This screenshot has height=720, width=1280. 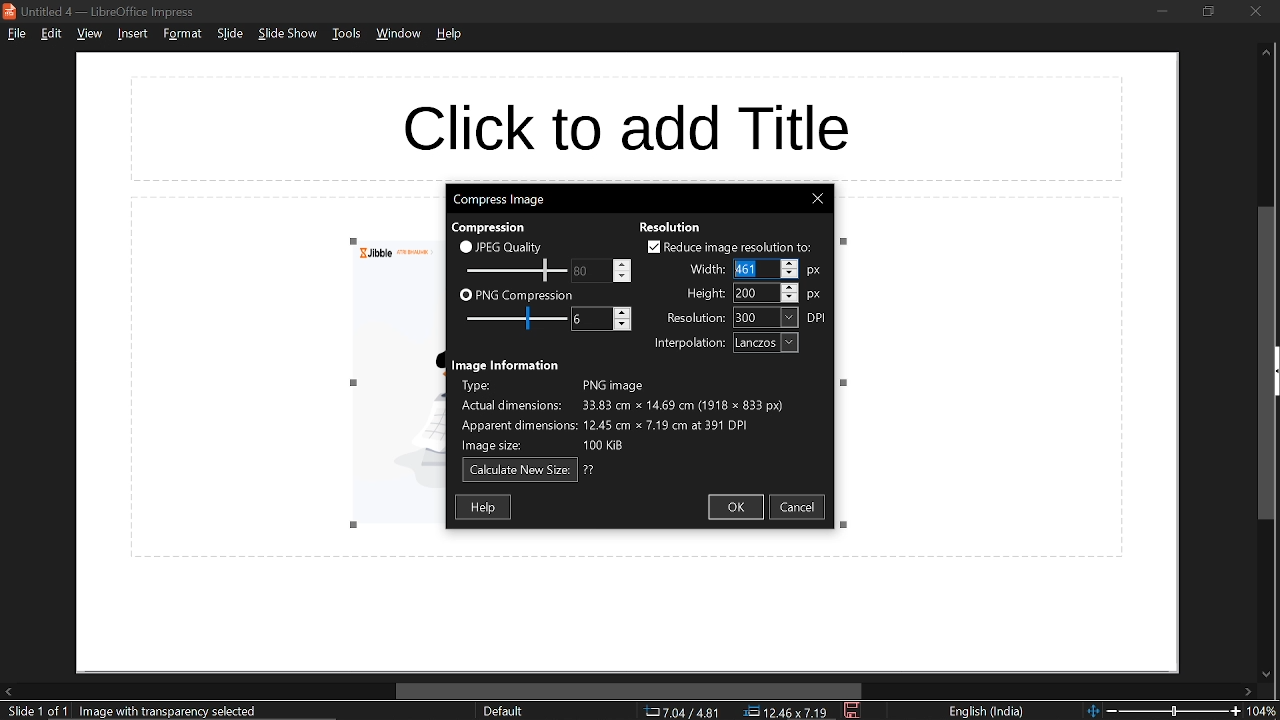 I want to click on JPEG quality, so click(x=512, y=247).